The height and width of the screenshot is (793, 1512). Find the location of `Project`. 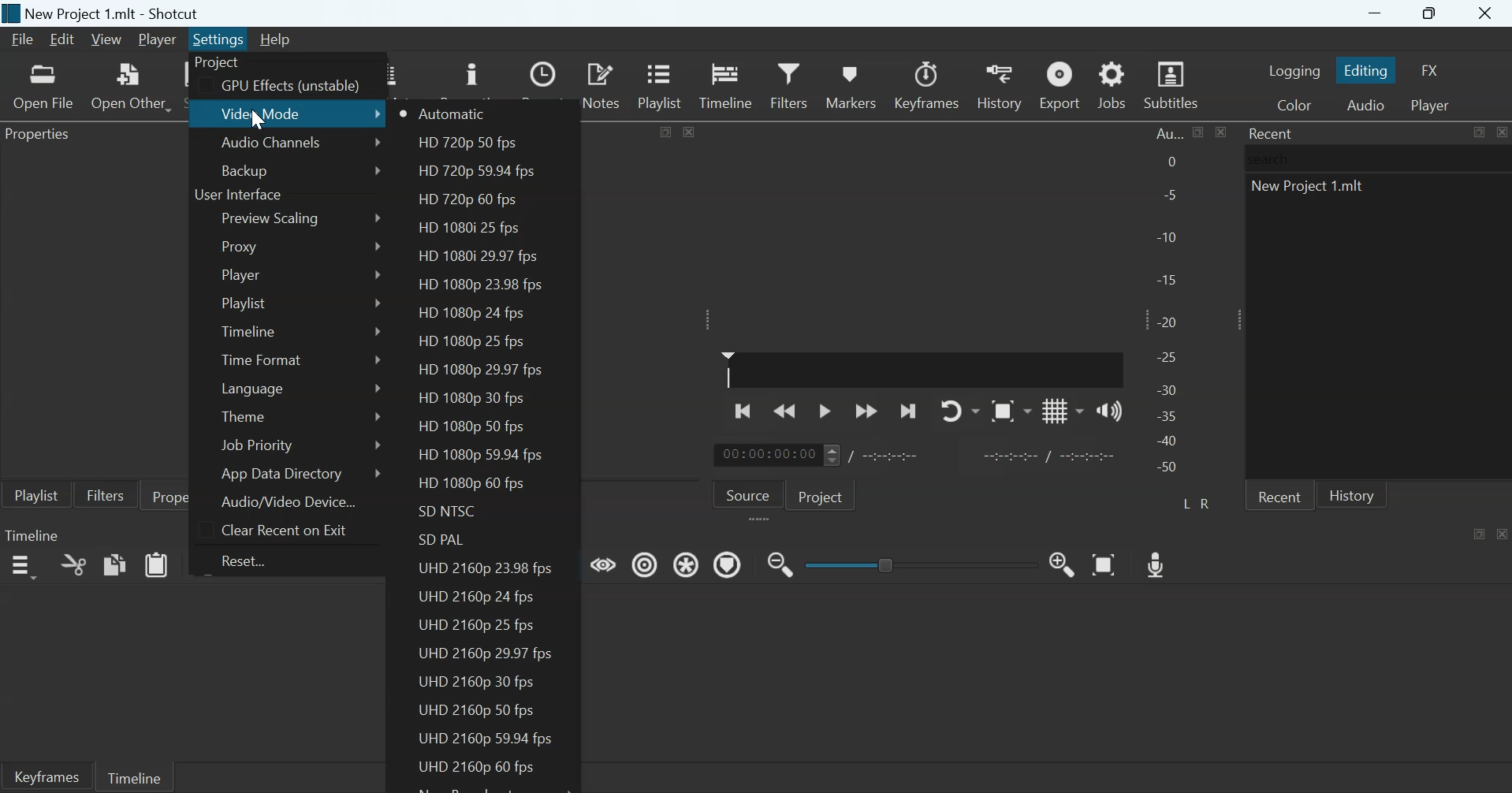

Project is located at coordinates (218, 63).